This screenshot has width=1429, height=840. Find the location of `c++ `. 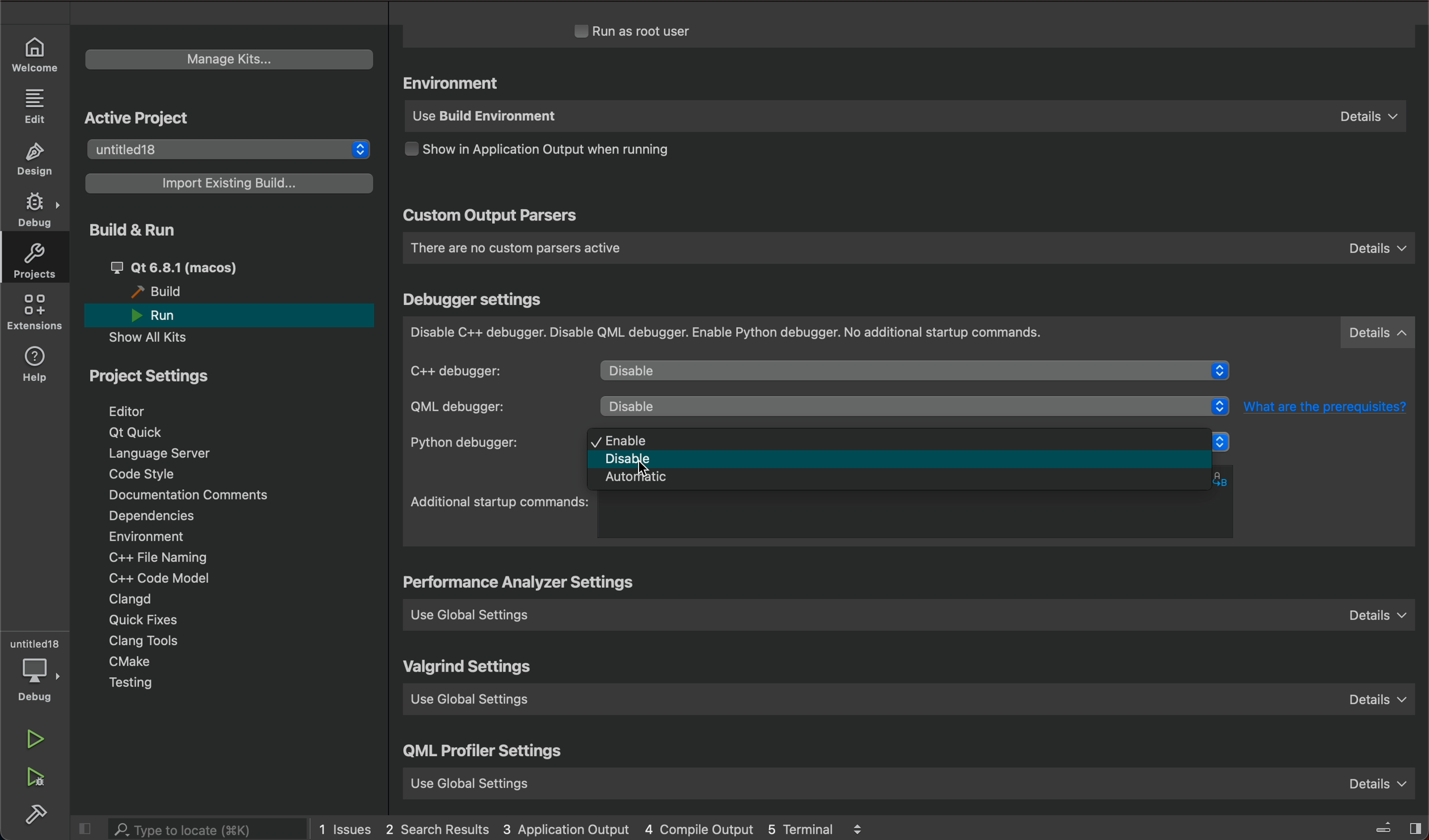

c++  is located at coordinates (489, 370).